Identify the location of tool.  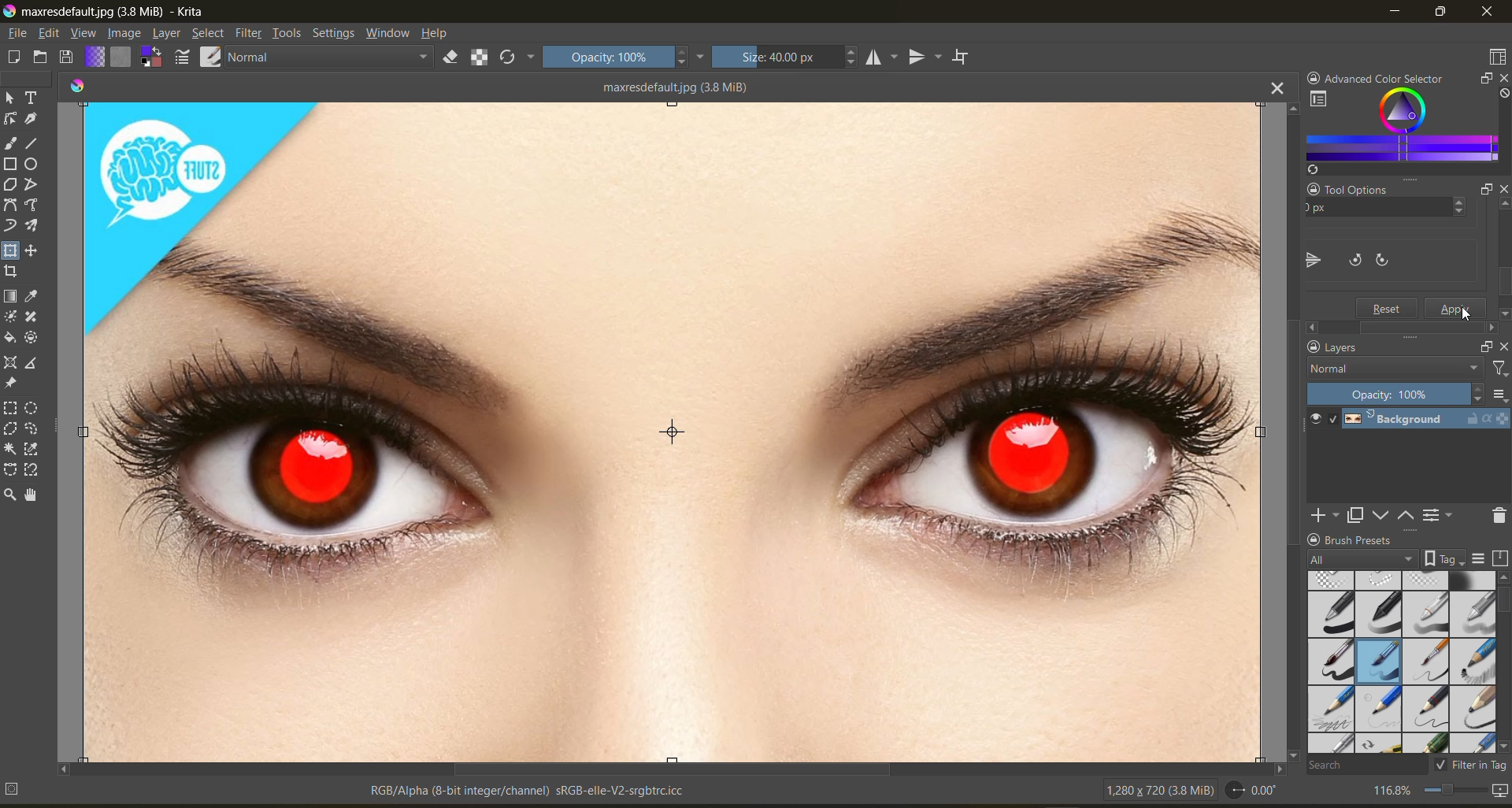
(33, 96).